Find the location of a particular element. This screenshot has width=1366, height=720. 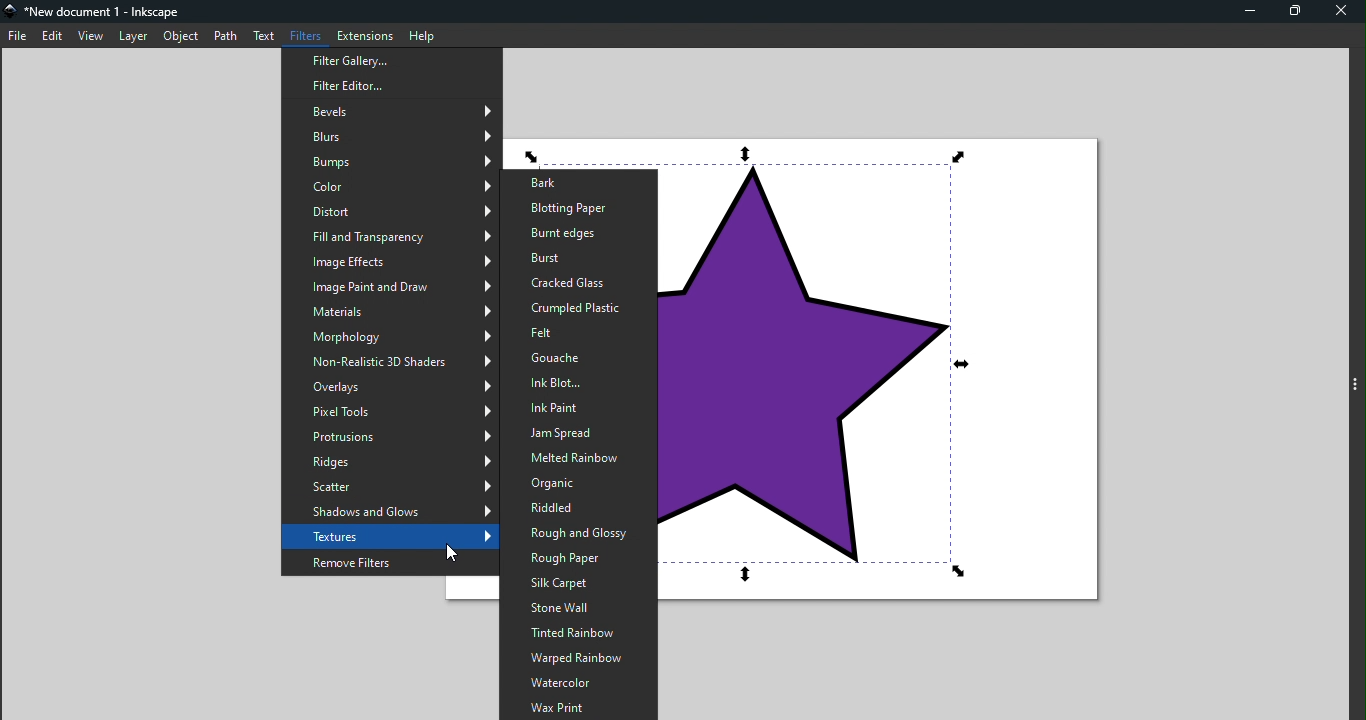

Fill and transparency is located at coordinates (388, 235).